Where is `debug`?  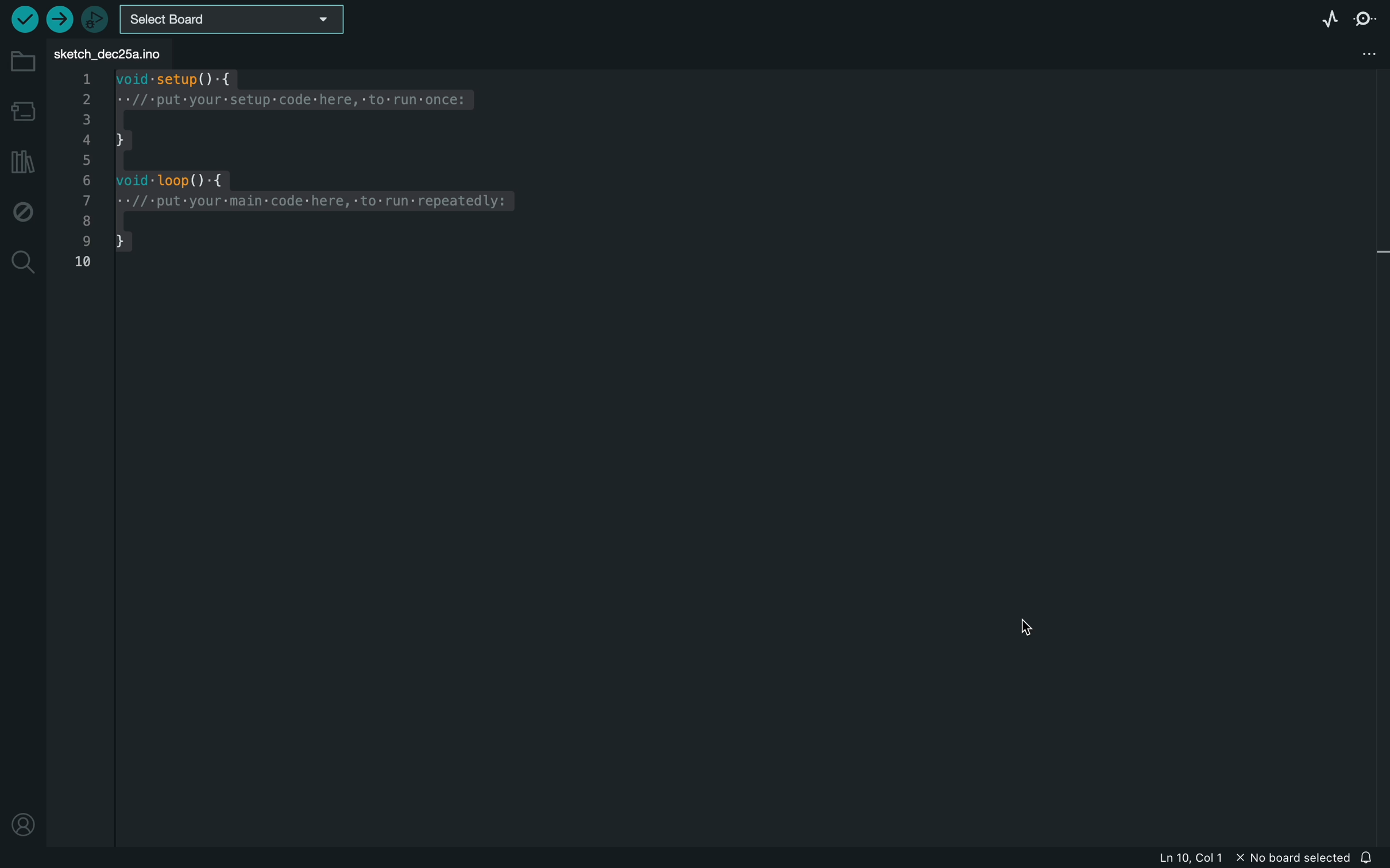
debug is located at coordinates (21, 214).